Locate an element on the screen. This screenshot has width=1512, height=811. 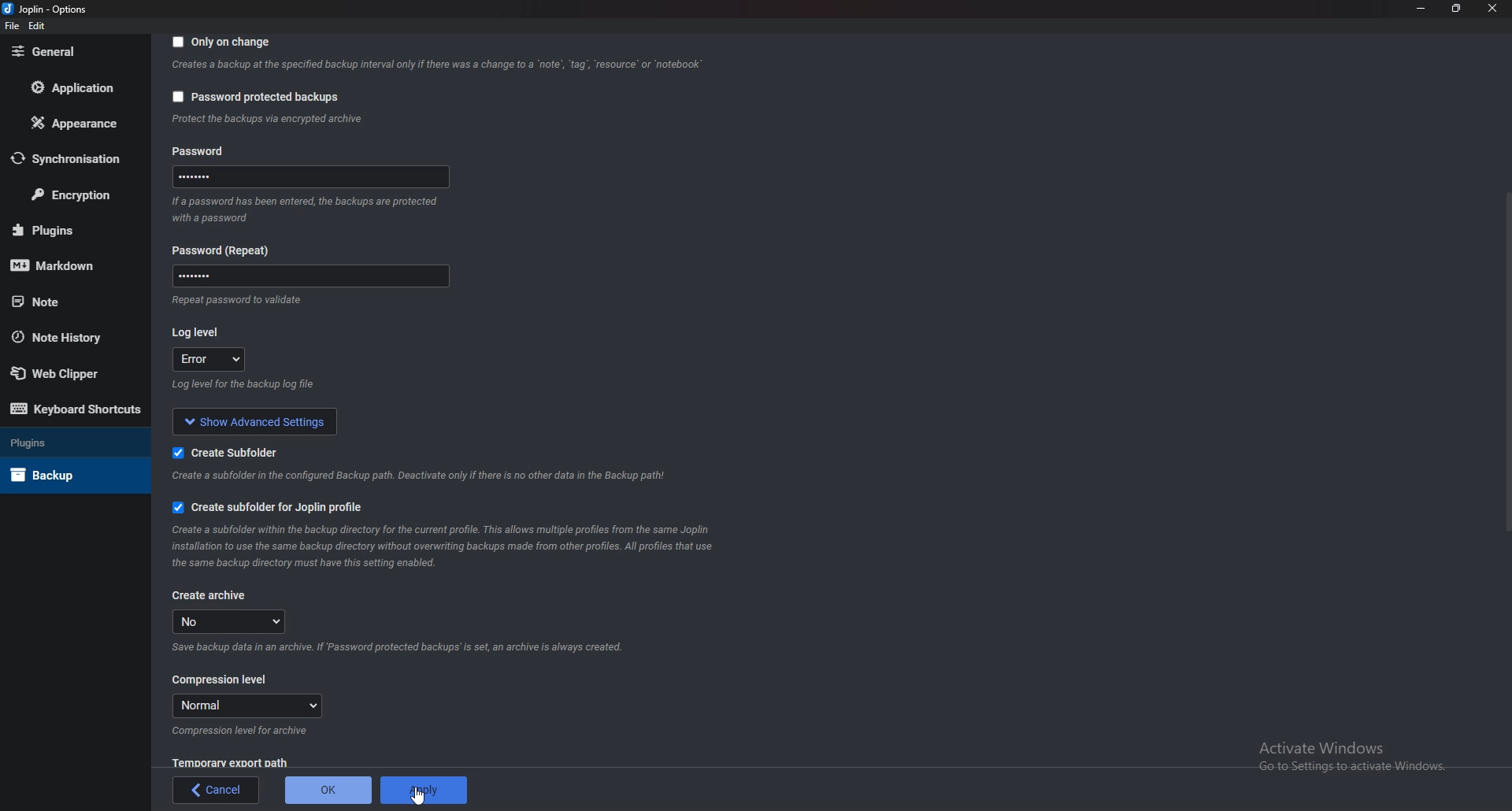
close is located at coordinates (1491, 8).